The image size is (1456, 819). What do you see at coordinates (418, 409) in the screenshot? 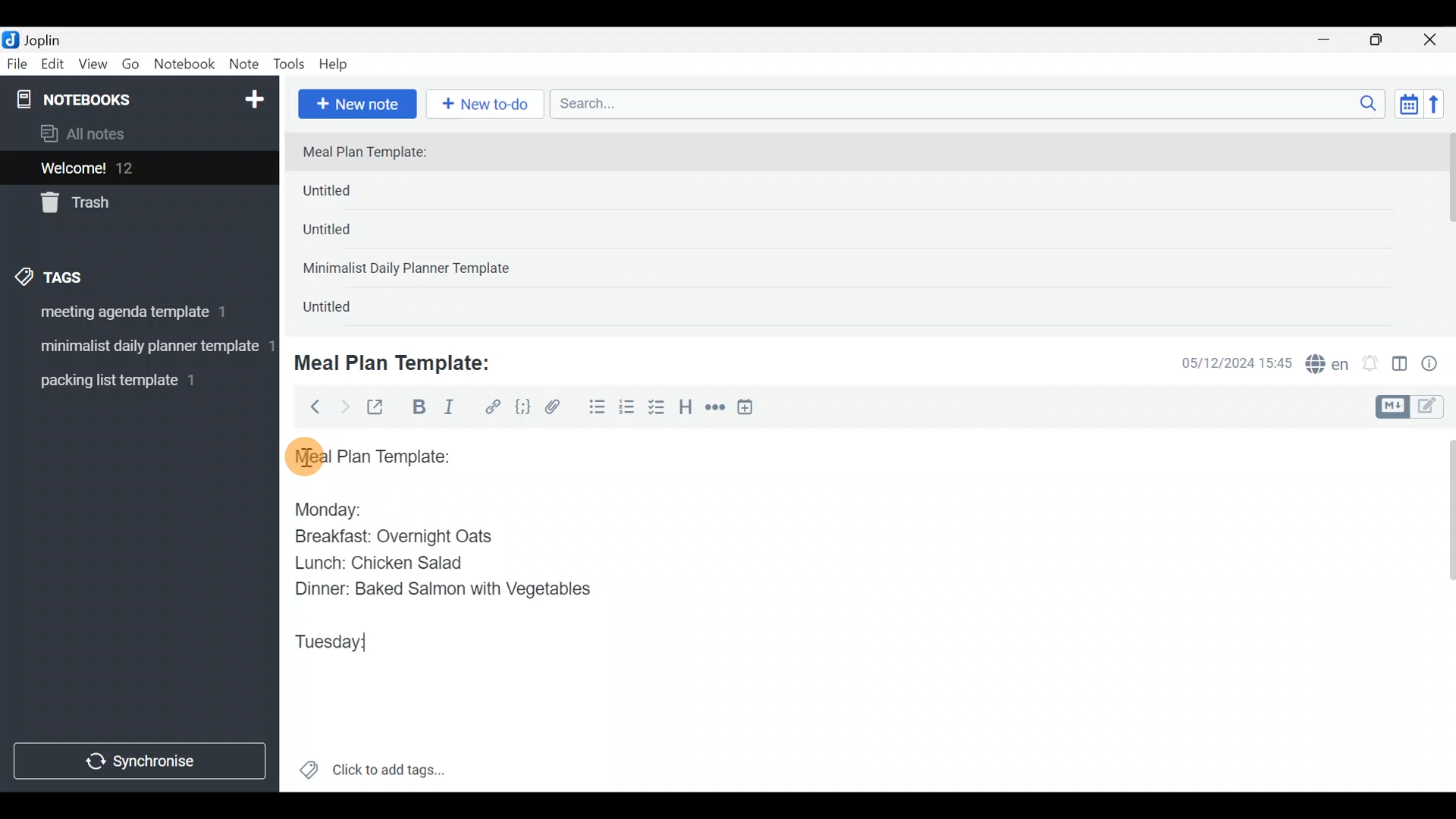
I see `Bold` at bounding box center [418, 409].